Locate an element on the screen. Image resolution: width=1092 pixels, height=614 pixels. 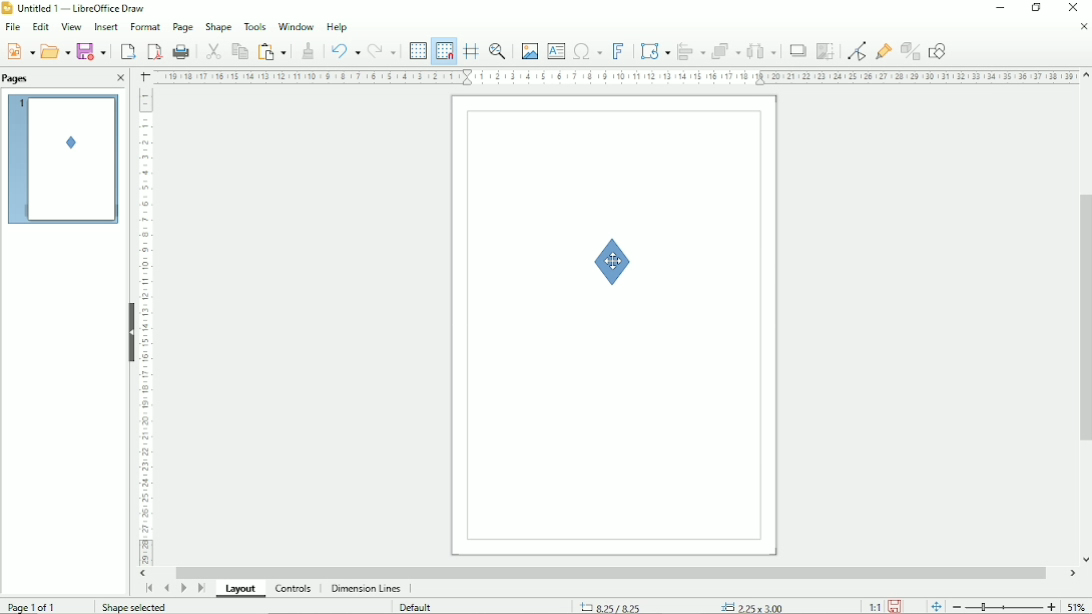
Shadow is located at coordinates (797, 50).